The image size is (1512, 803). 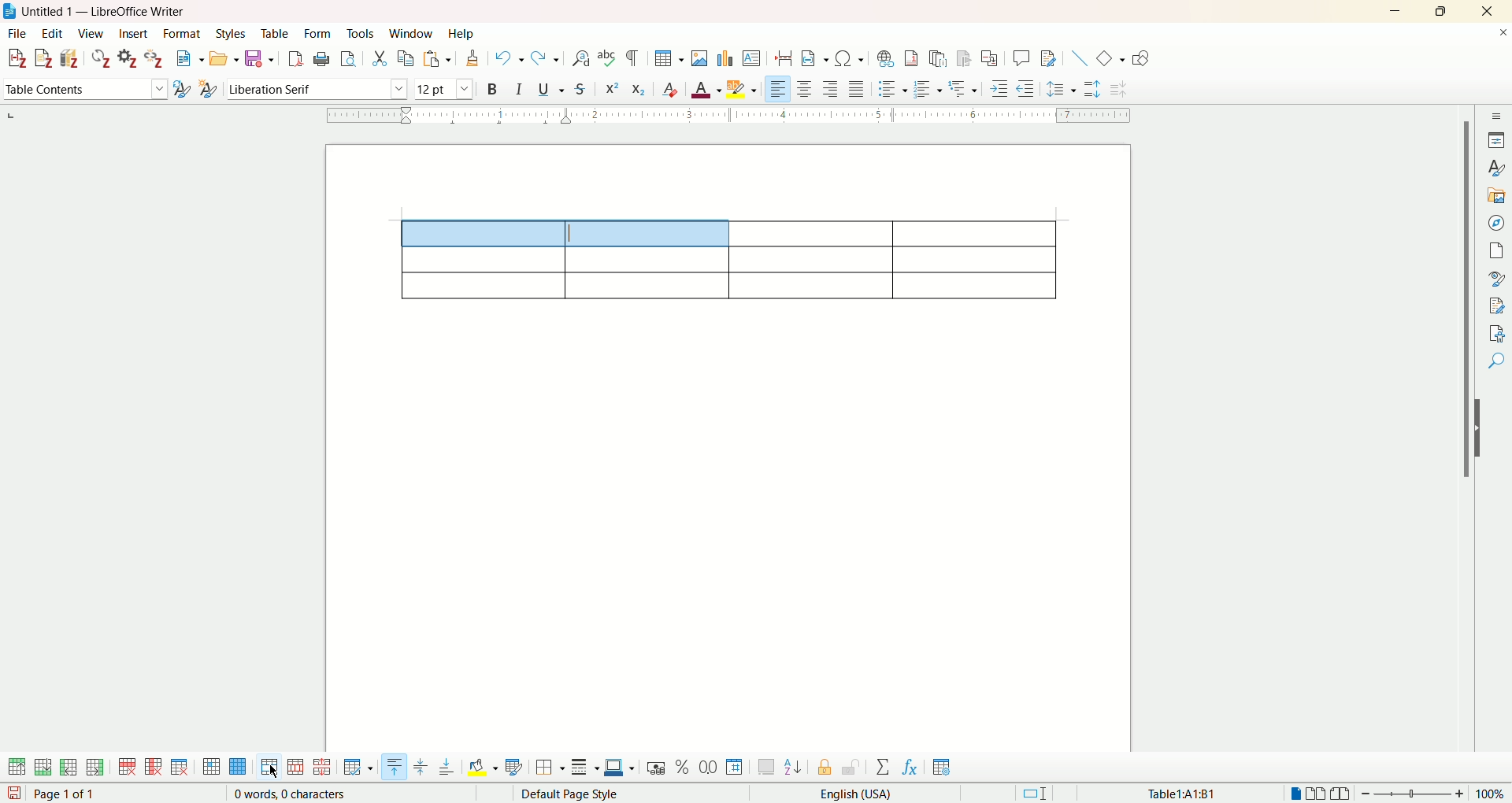 What do you see at coordinates (1112, 58) in the screenshot?
I see `basic shapes` at bounding box center [1112, 58].